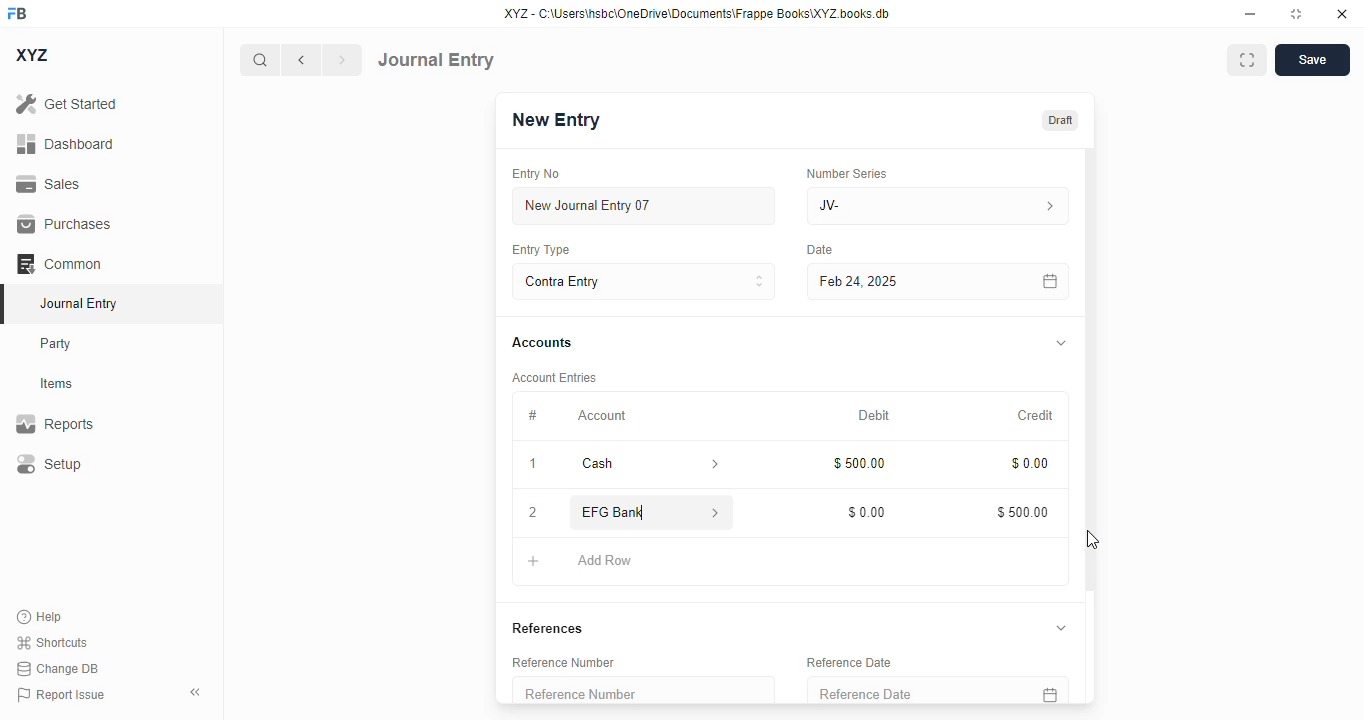 The height and width of the screenshot is (720, 1364). I want to click on reference number, so click(645, 690).